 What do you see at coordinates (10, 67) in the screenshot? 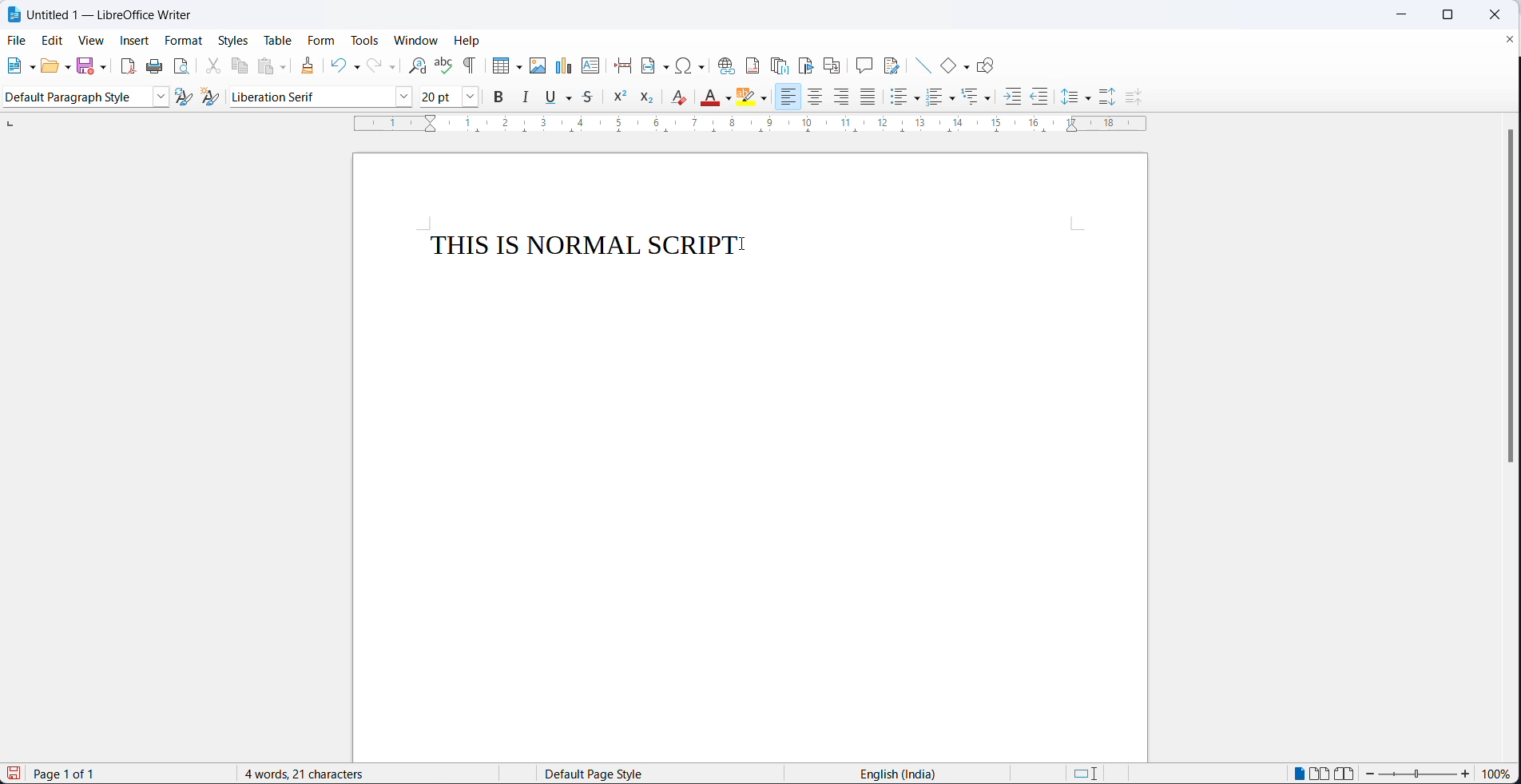
I see `new file` at bounding box center [10, 67].